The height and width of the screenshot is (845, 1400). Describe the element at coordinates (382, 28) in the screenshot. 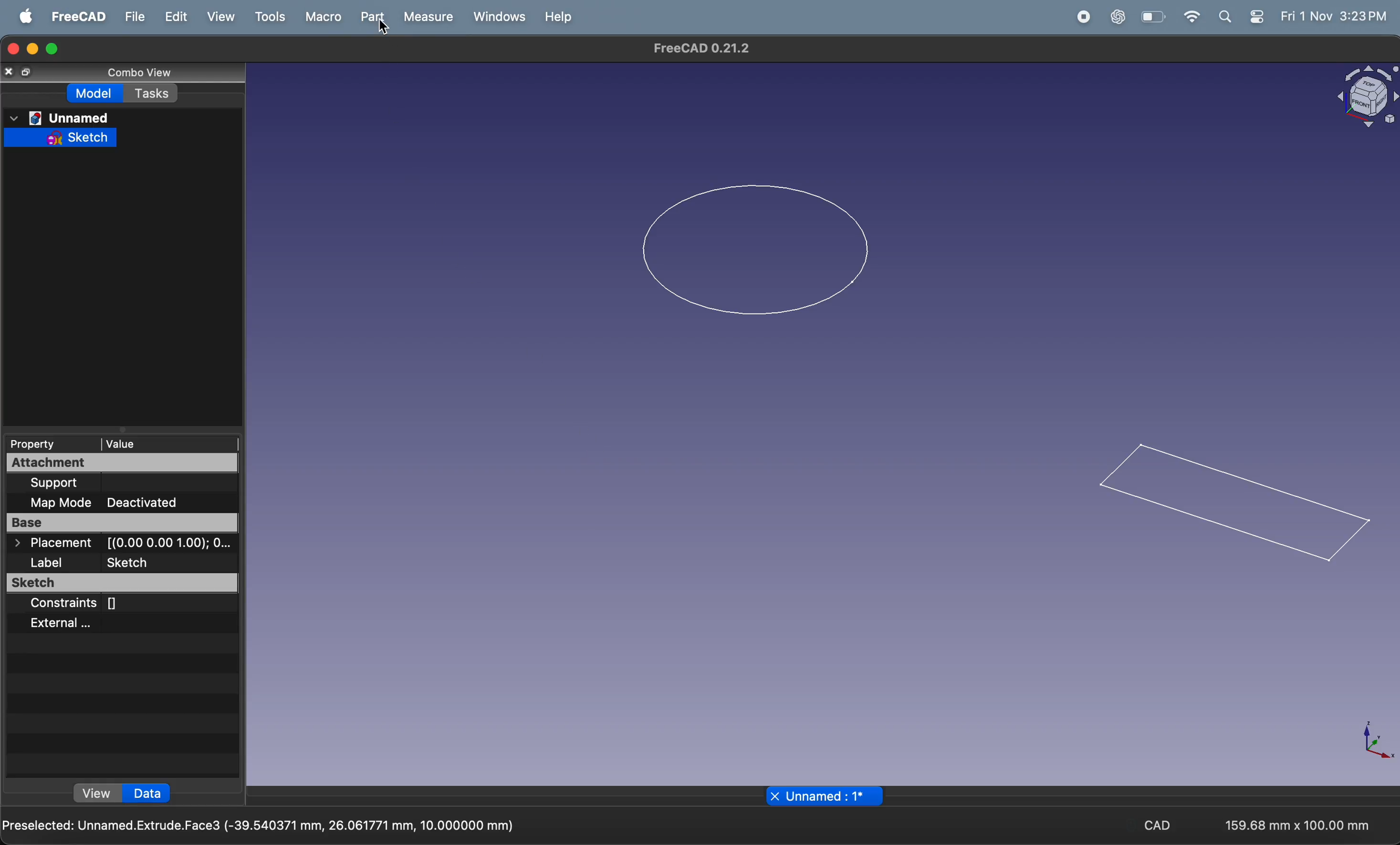

I see `cursor` at that location.